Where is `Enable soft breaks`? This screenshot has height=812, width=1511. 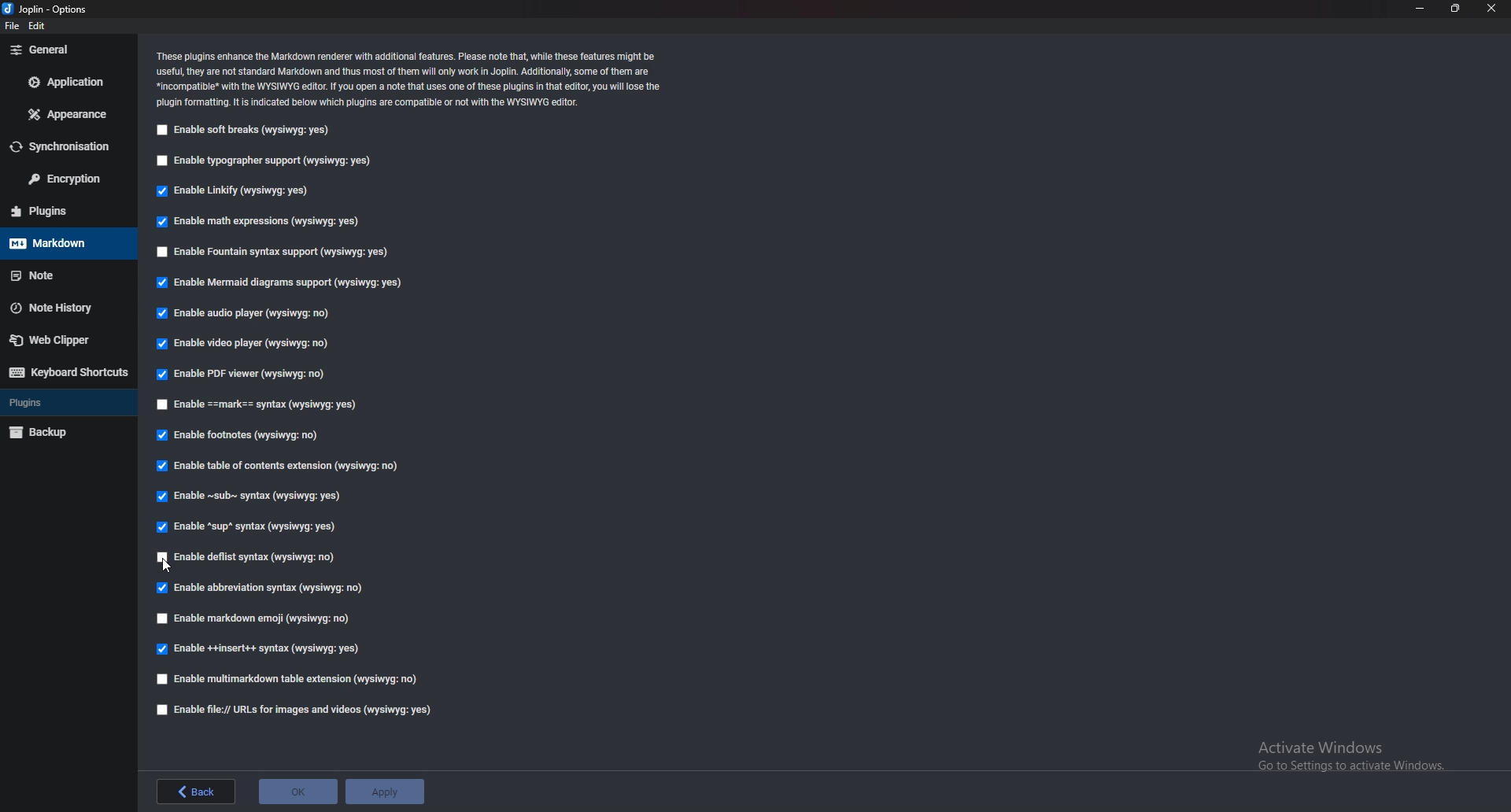 Enable soft breaks is located at coordinates (240, 131).